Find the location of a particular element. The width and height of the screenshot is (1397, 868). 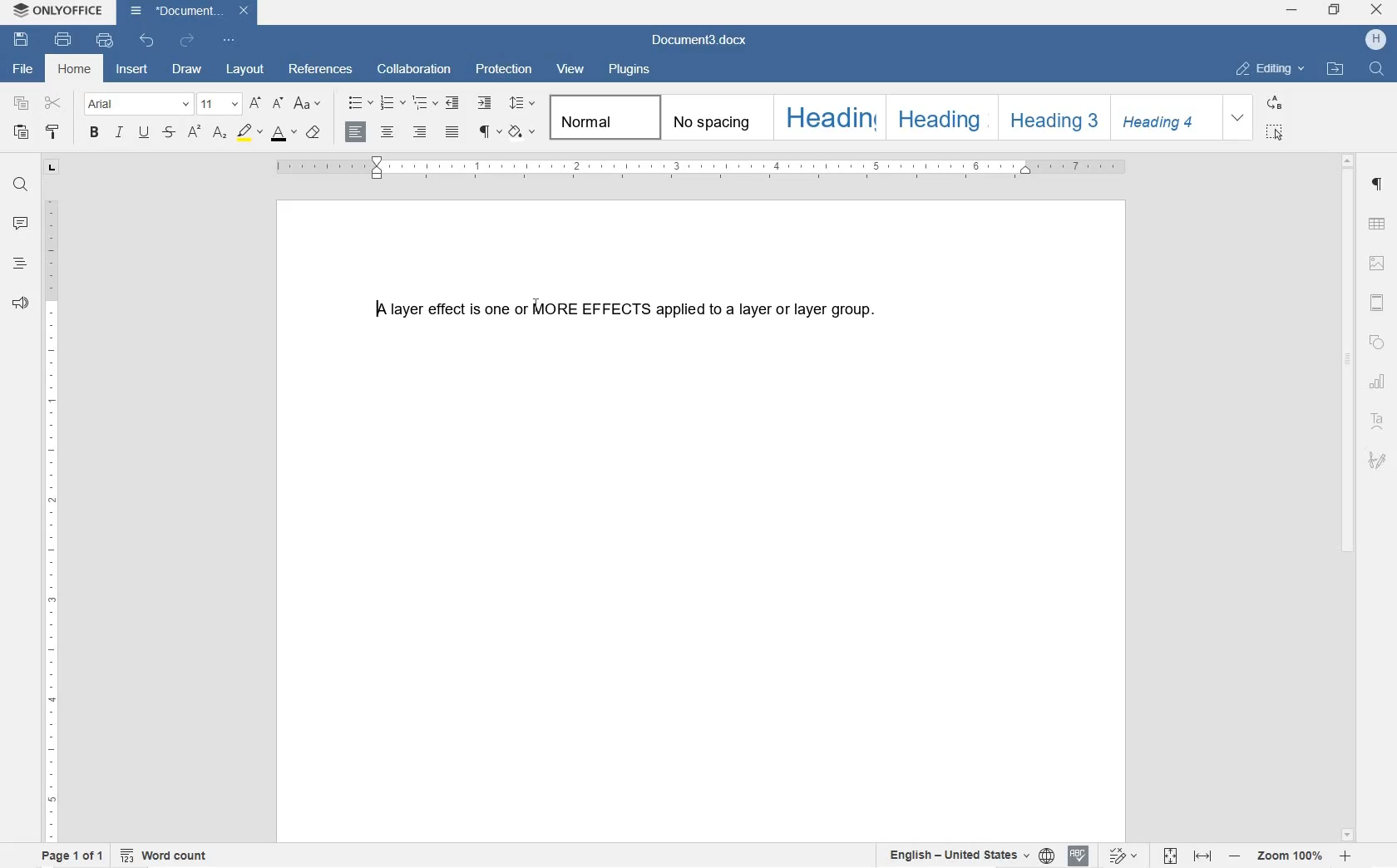

SUPERSCRIPT is located at coordinates (194, 132).